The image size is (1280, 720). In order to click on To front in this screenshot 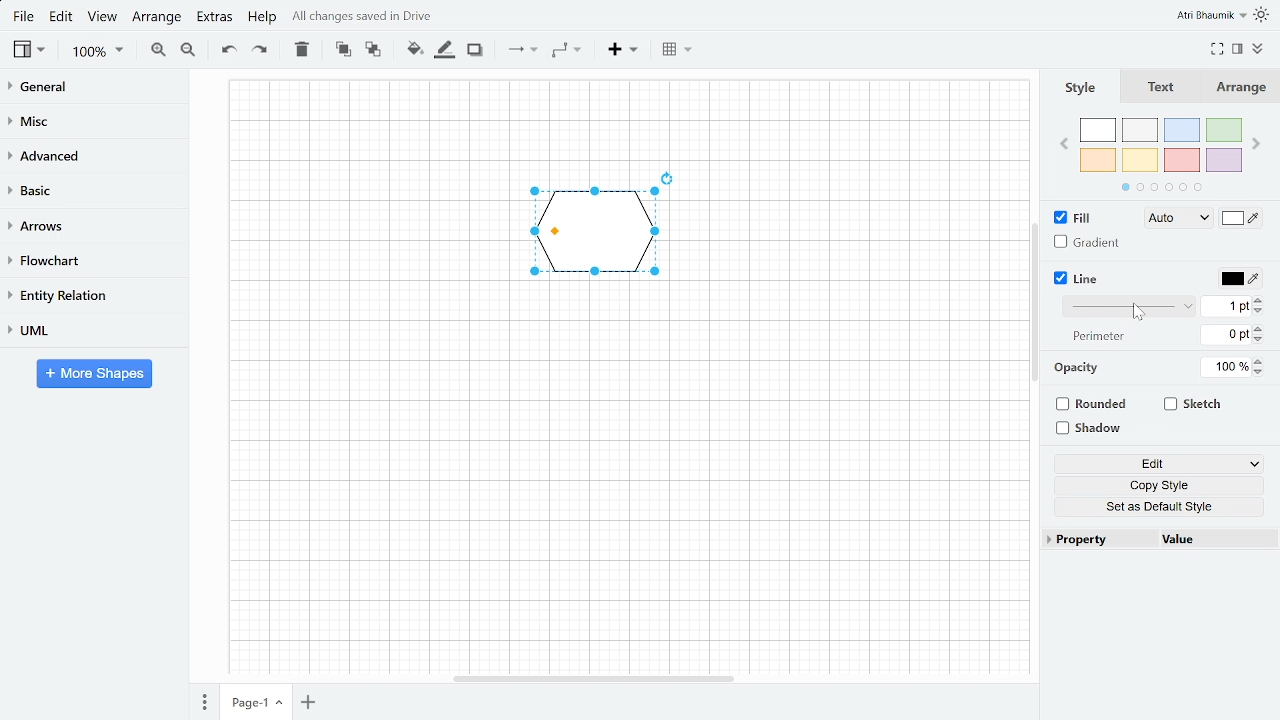, I will do `click(343, 51)`.